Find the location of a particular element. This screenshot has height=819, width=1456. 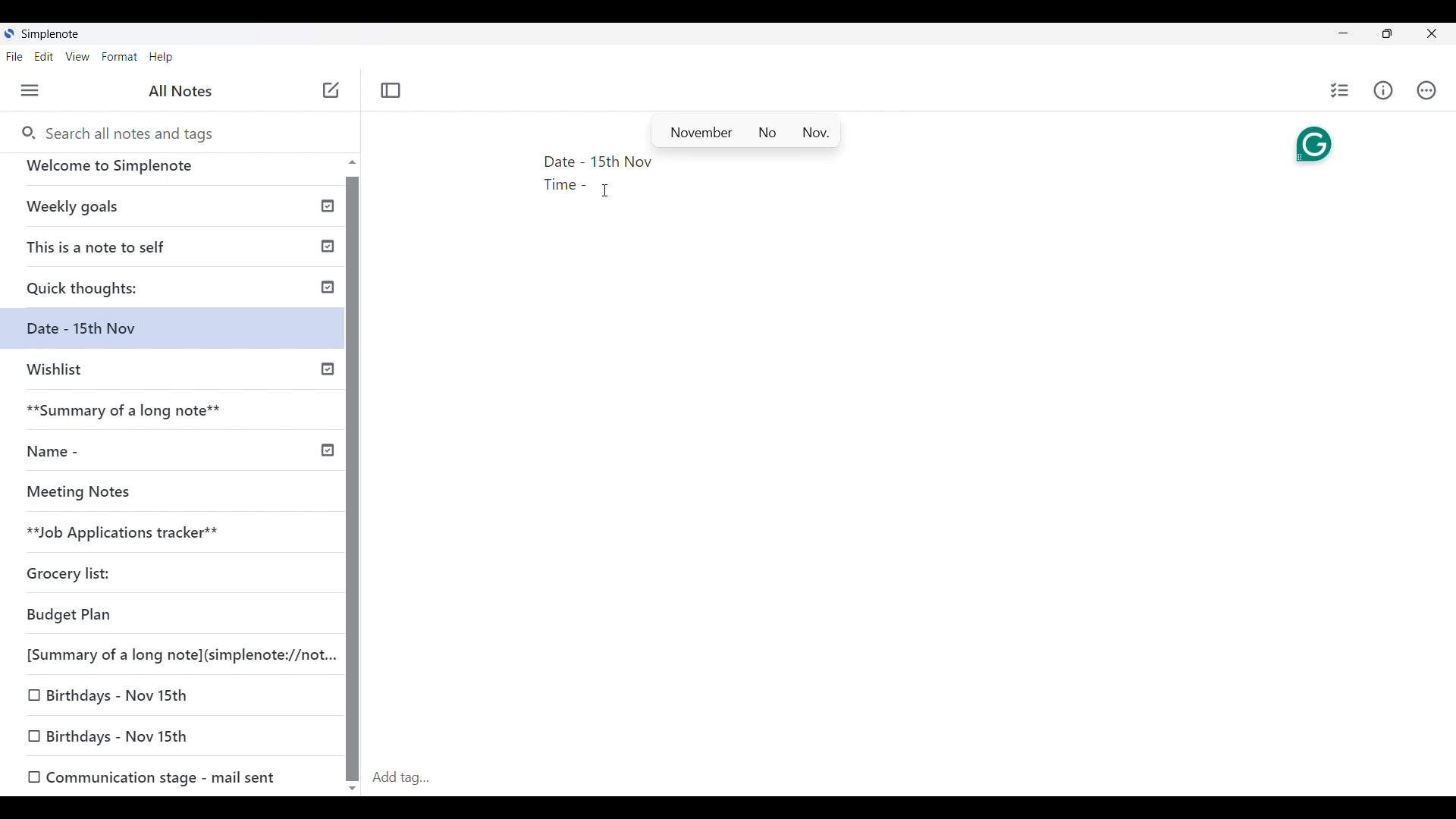

Unpublished note is located at coordinates (75, 576).